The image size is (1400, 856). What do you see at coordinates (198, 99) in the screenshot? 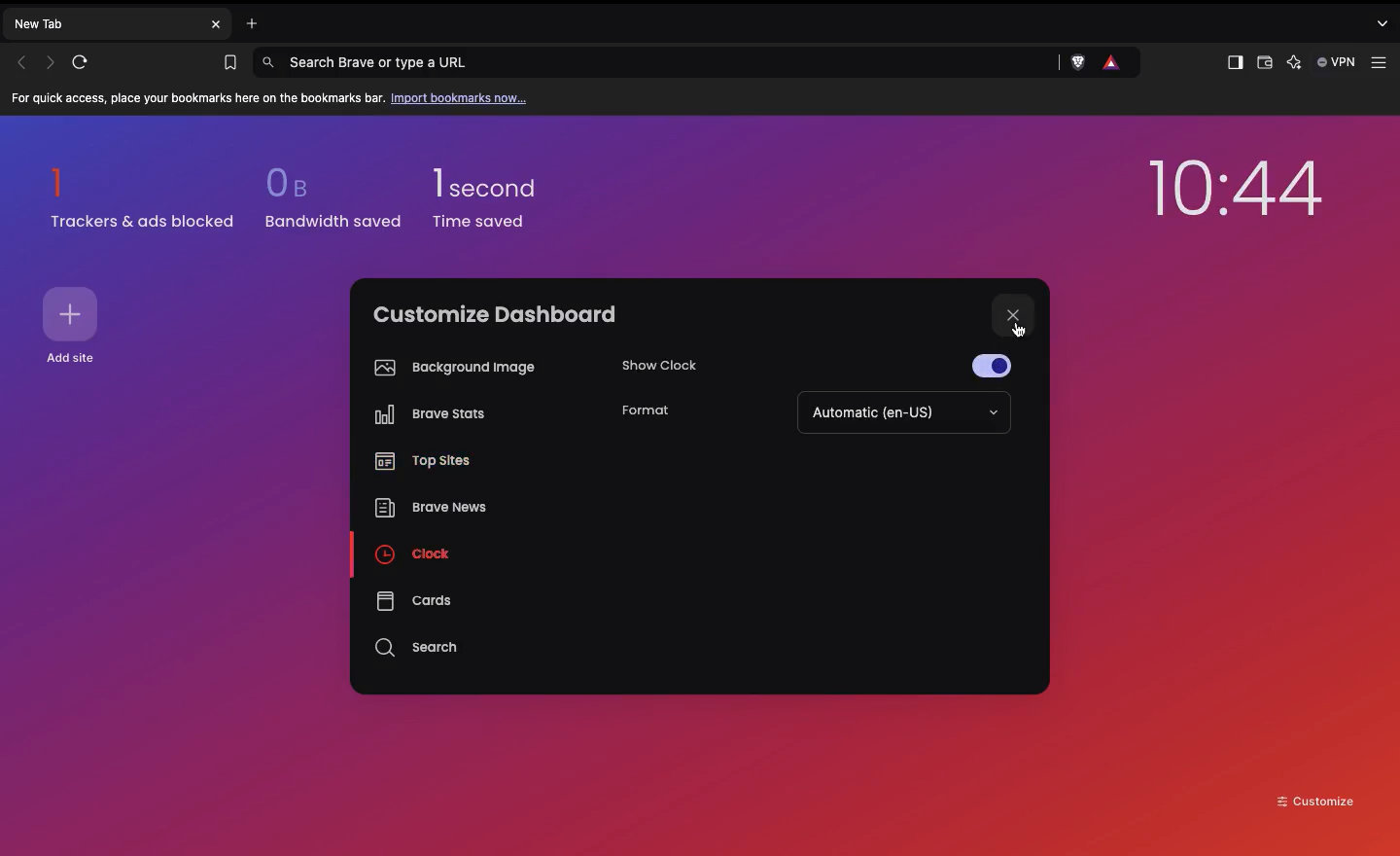
I see `For quick access, place your bookmarks here on the bookmarks bar.` at bounding box center [198, 99].